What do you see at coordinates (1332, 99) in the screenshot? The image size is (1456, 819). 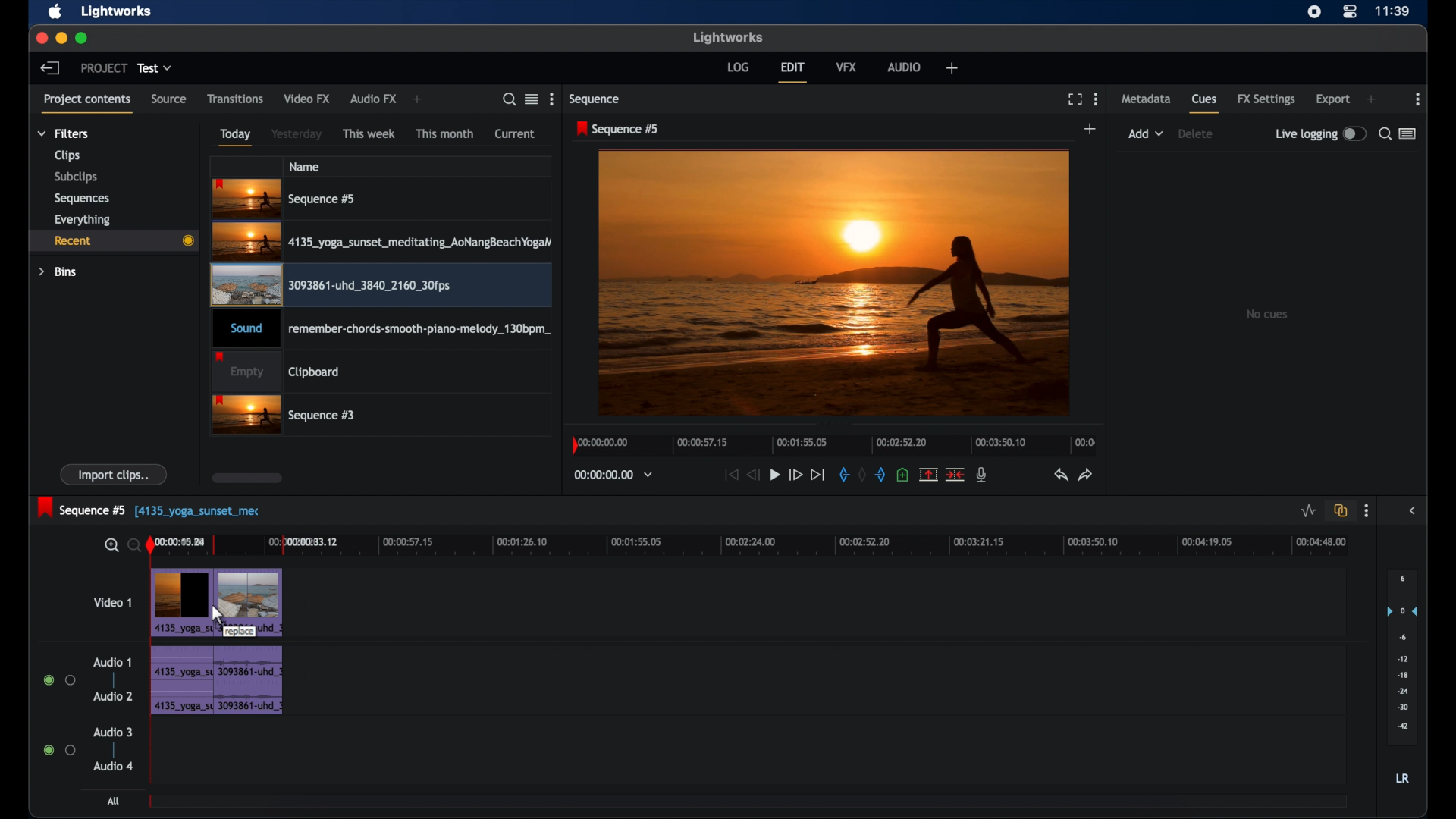 I see `export` at bounding box center [1332, 99].